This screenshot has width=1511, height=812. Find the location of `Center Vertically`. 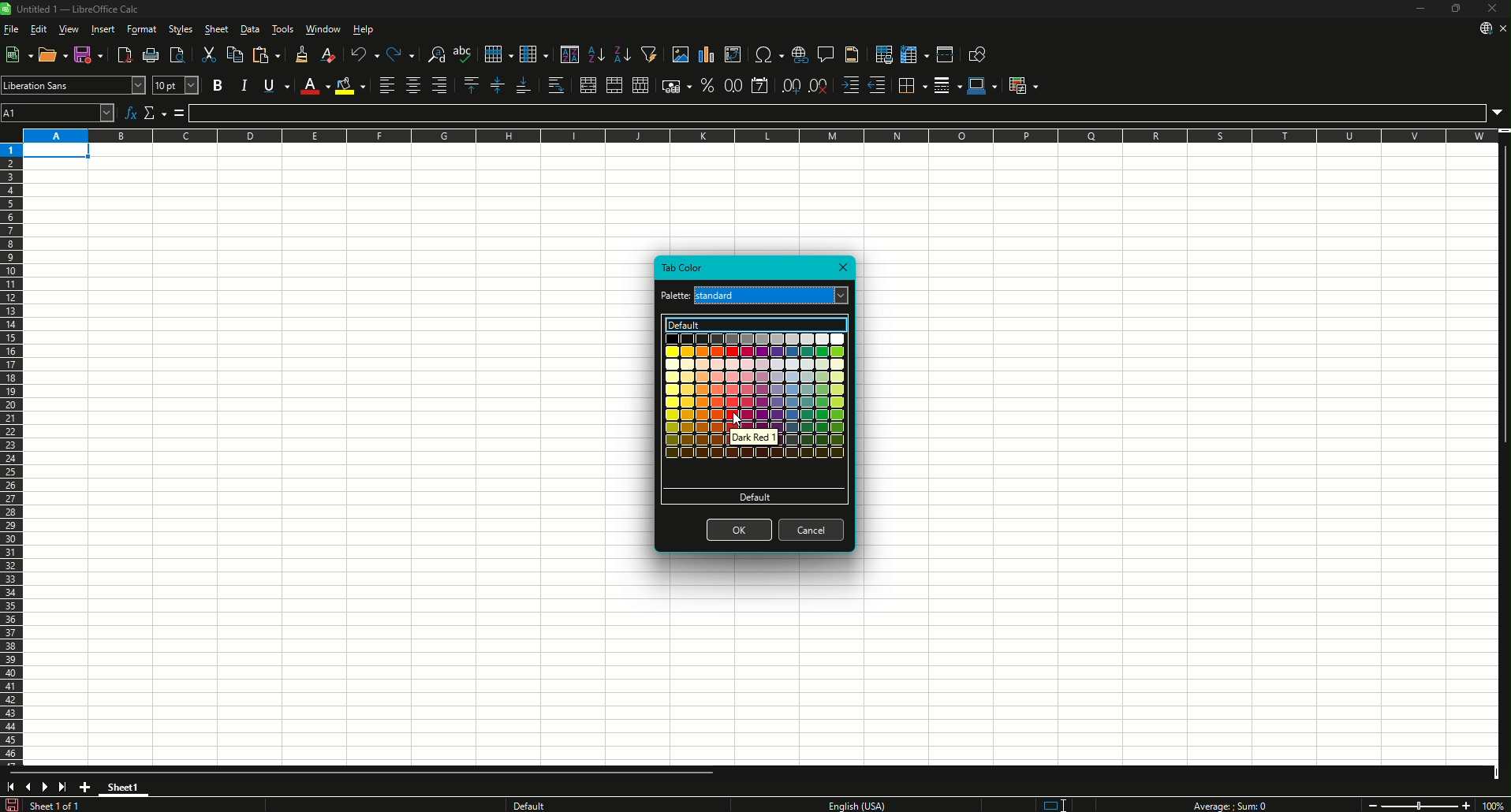

Center Vertically is located at coordinates (498, 85).